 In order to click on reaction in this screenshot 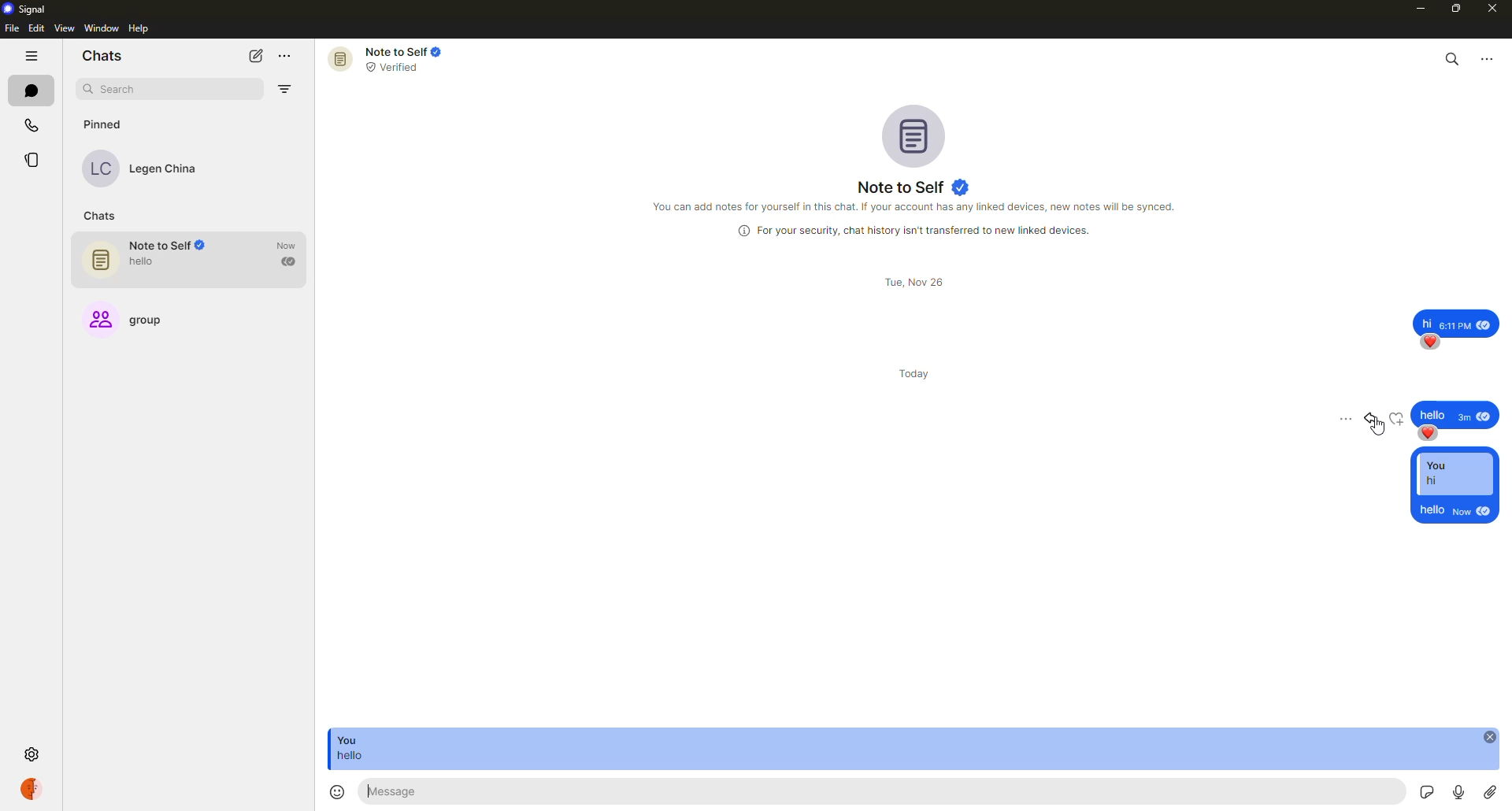, I will do `click(1432, 343)`.